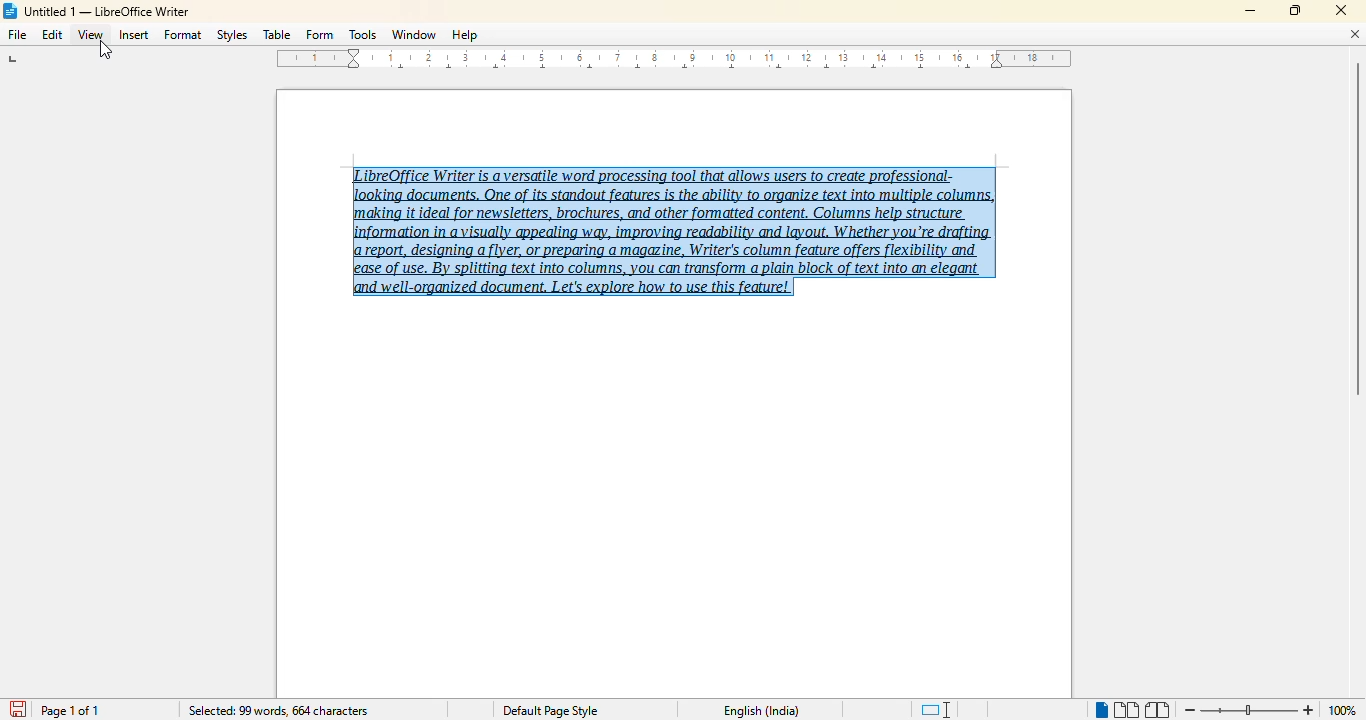 The height and width of the screenshot is (720, 1366). Describe the element at coordinates (1097, 710) in the screenshot. I see `single page view` at that location.